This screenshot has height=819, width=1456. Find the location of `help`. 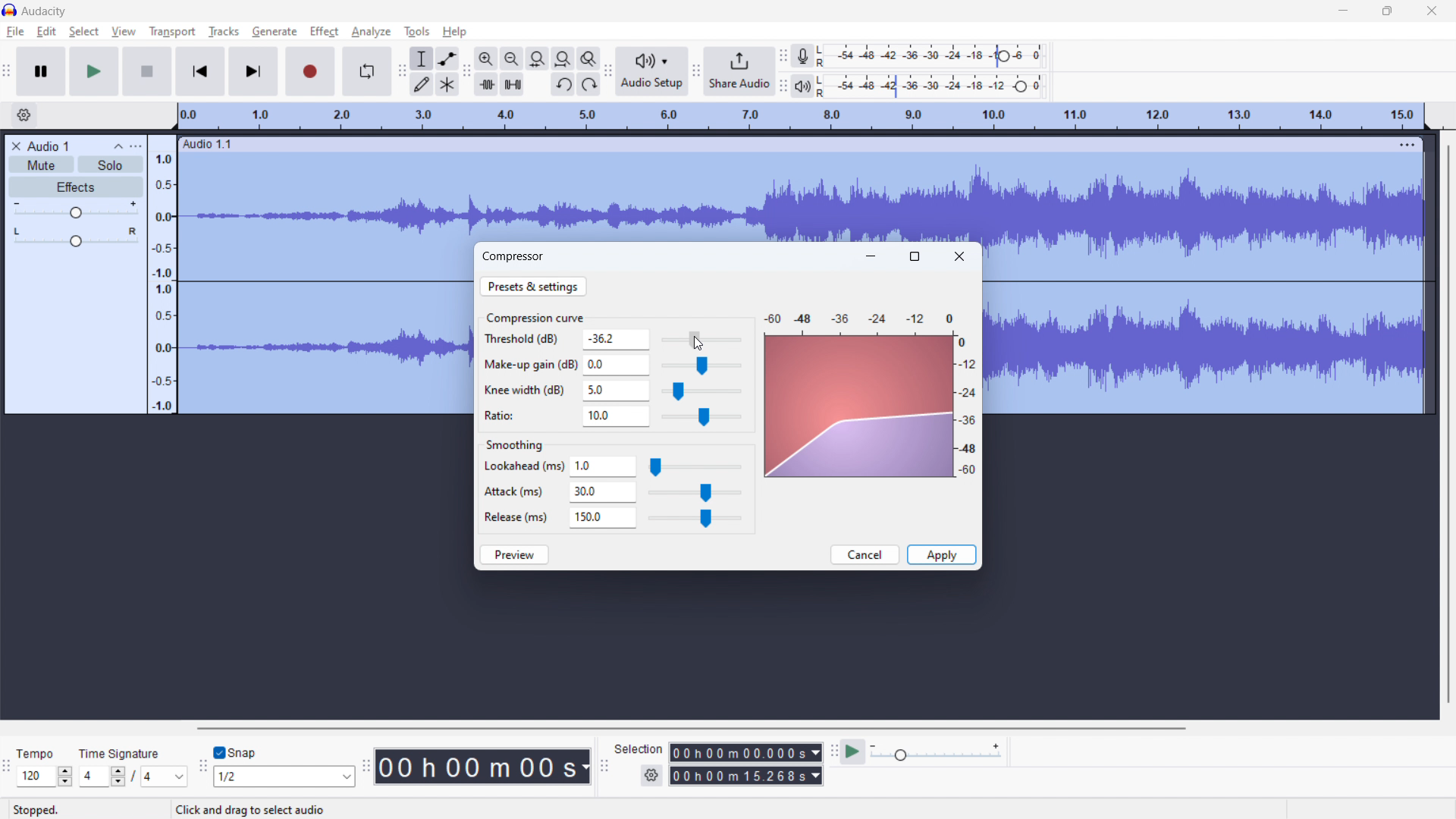

help is located at coordinates (455, 32).